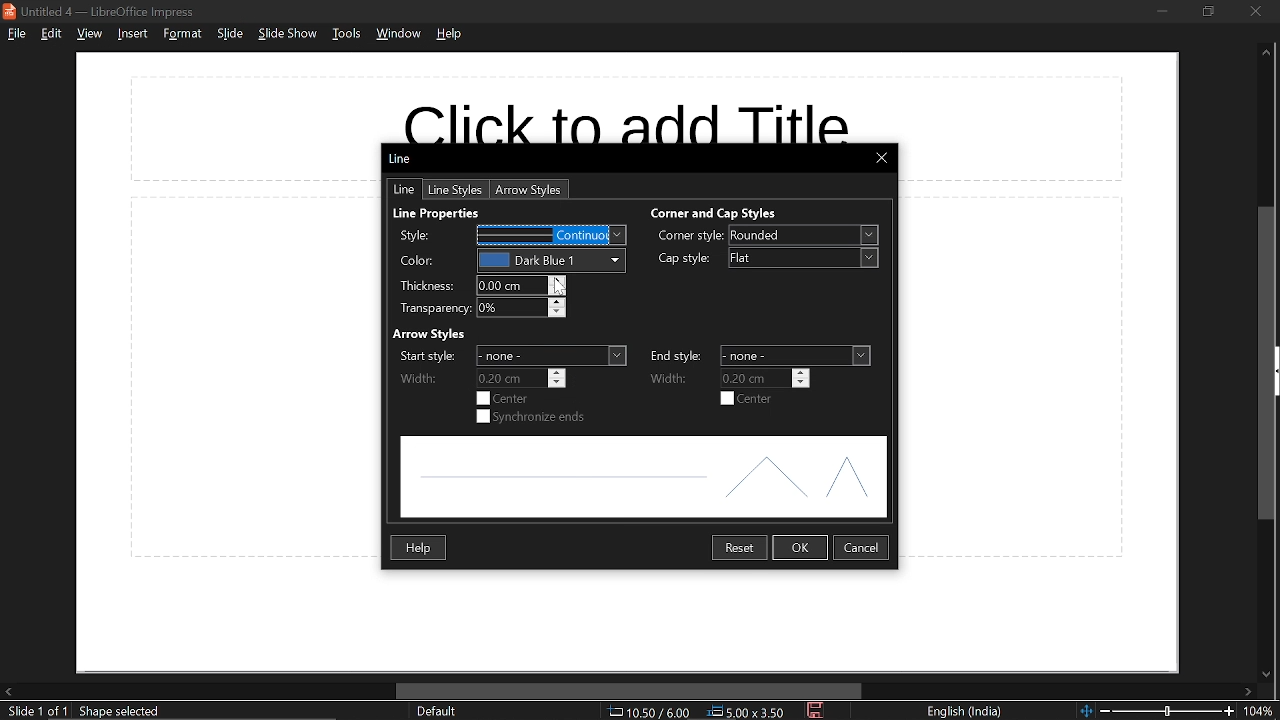 The width and height of the screenshot is (1280, 720). Describe the element at coordinates (747, 712) in the screenshot. I see `position` at that location.